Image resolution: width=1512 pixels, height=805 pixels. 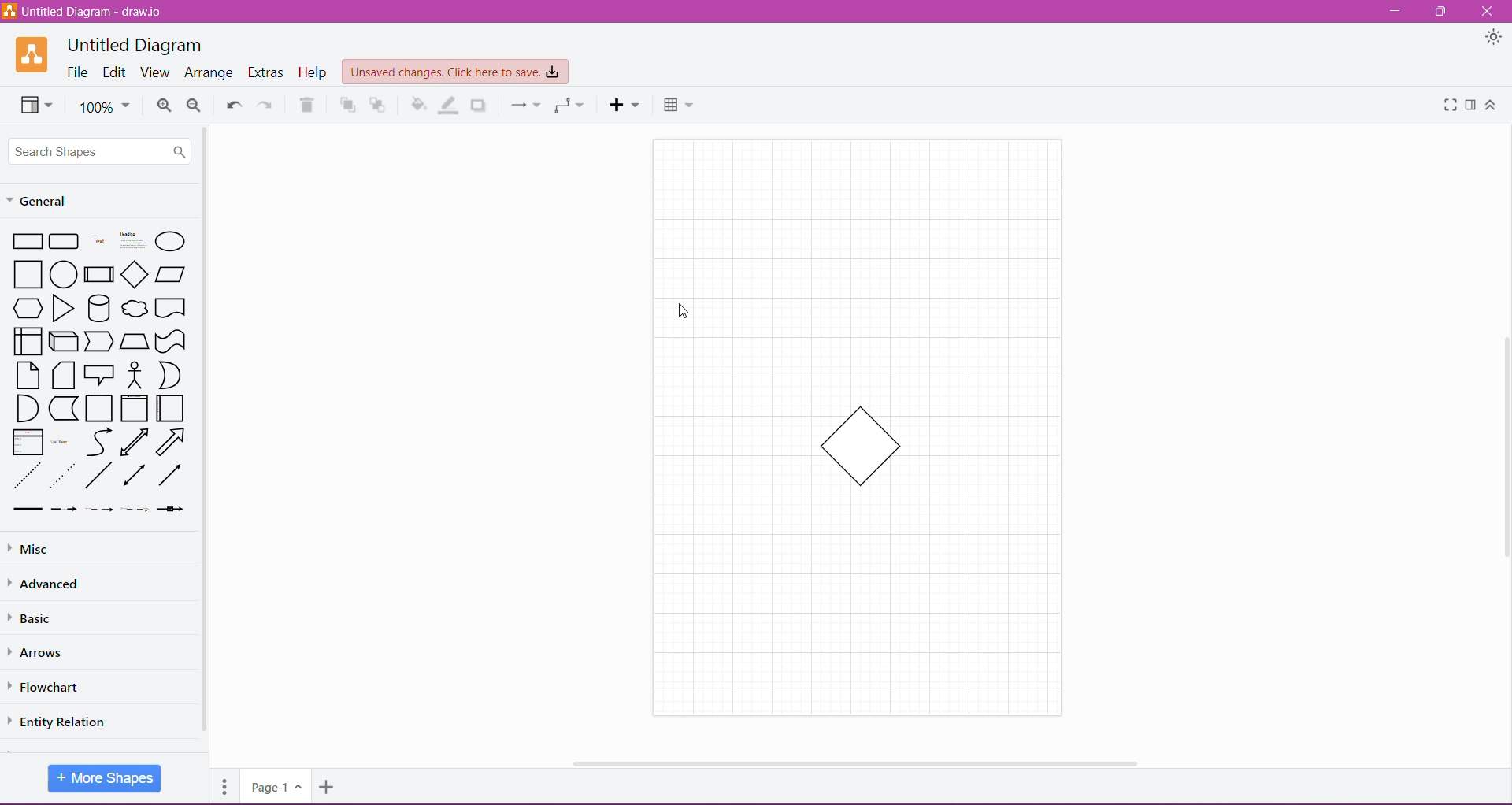 What do you see at coordinates (678, 106) in the screenshot?
I see `Table` at bounding box center [678, 106].